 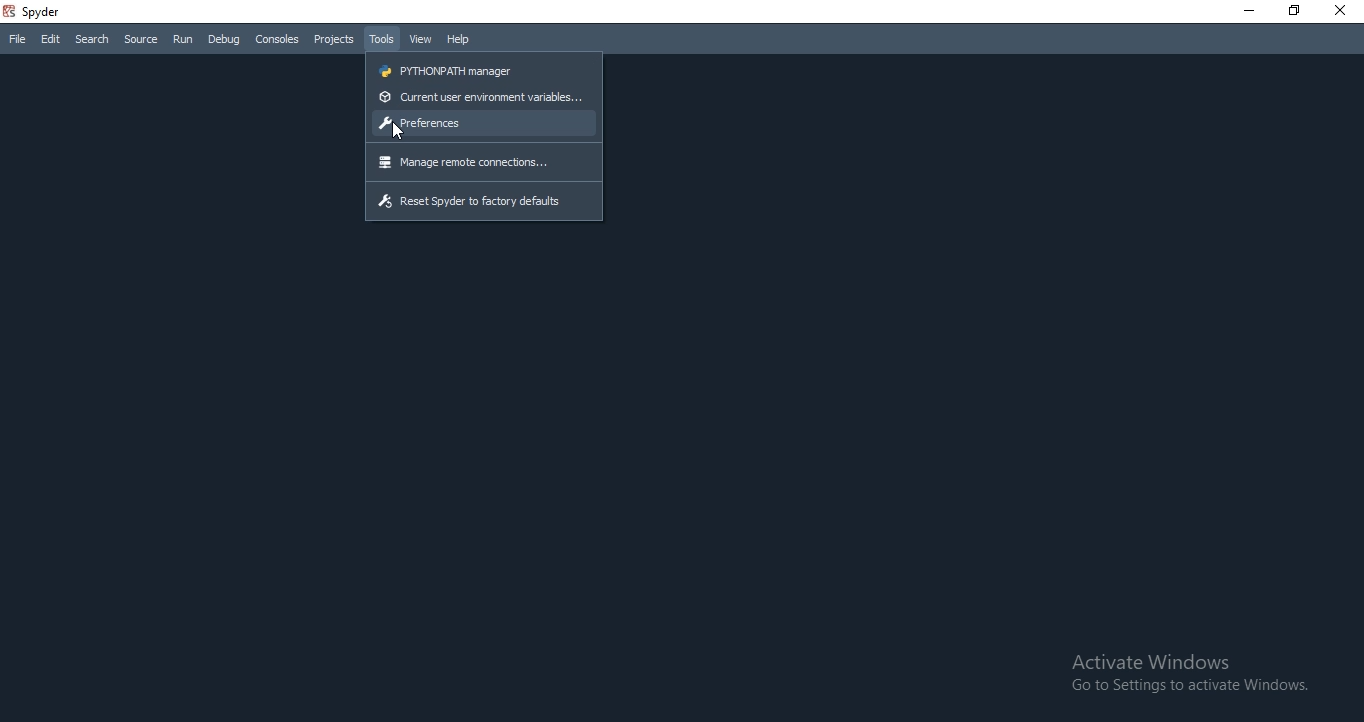 I want to click on Debug, so click(x=225, y=39).